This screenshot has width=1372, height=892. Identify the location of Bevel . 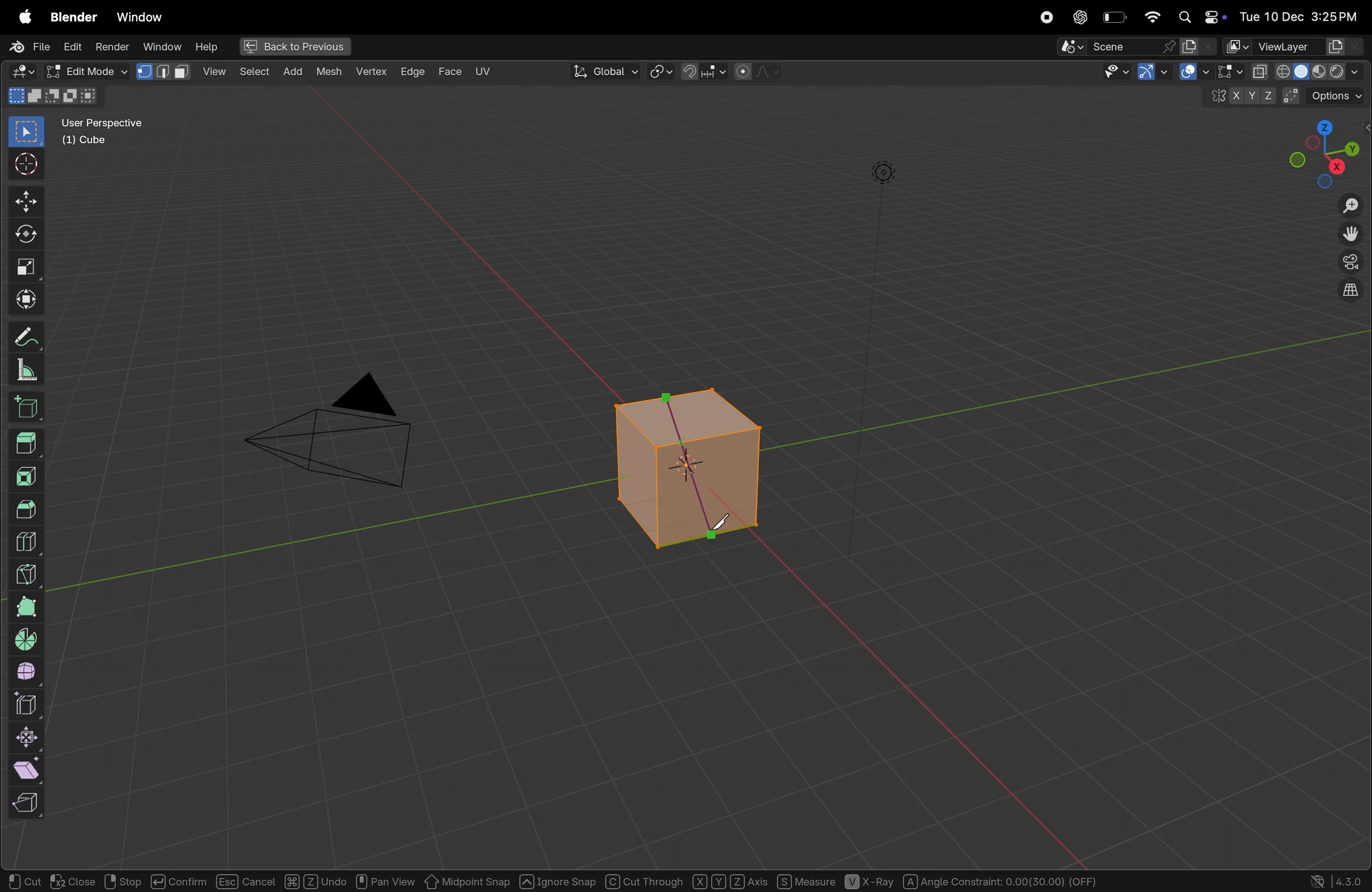
(27, 508).